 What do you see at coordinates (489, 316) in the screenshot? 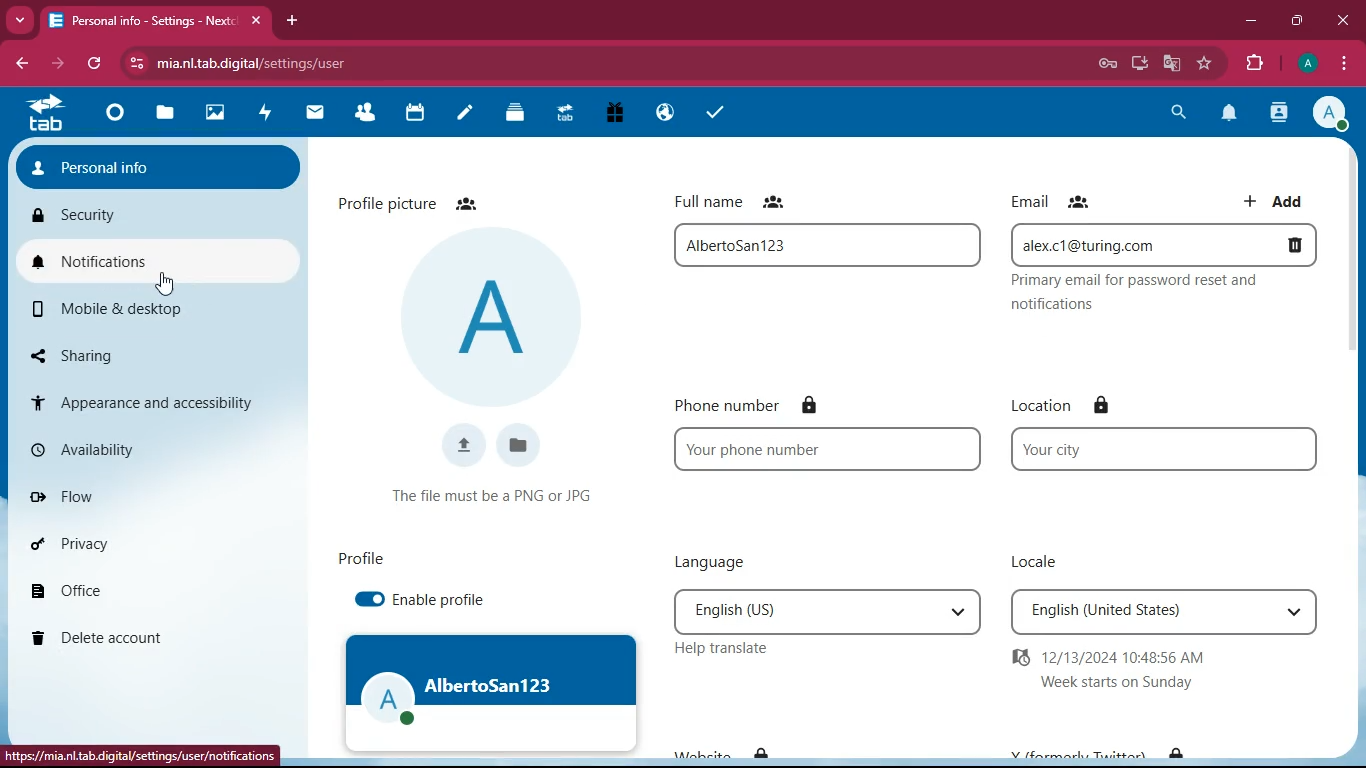
I see `profile picture` at bounding box center [489, 316].